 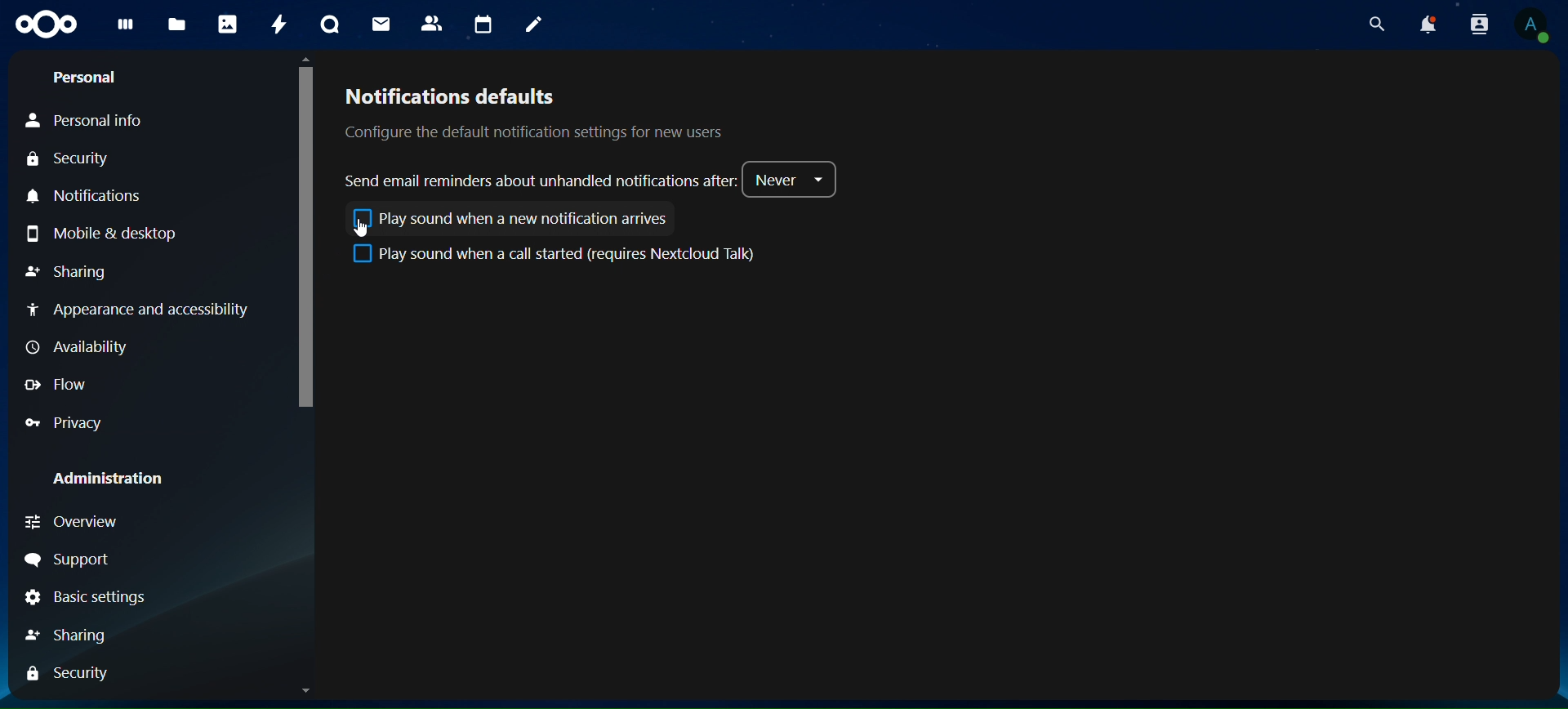 What do you see at coordinates (109, 479) in the screenshot?
I see `Administration` at bounding box center [109, 479].